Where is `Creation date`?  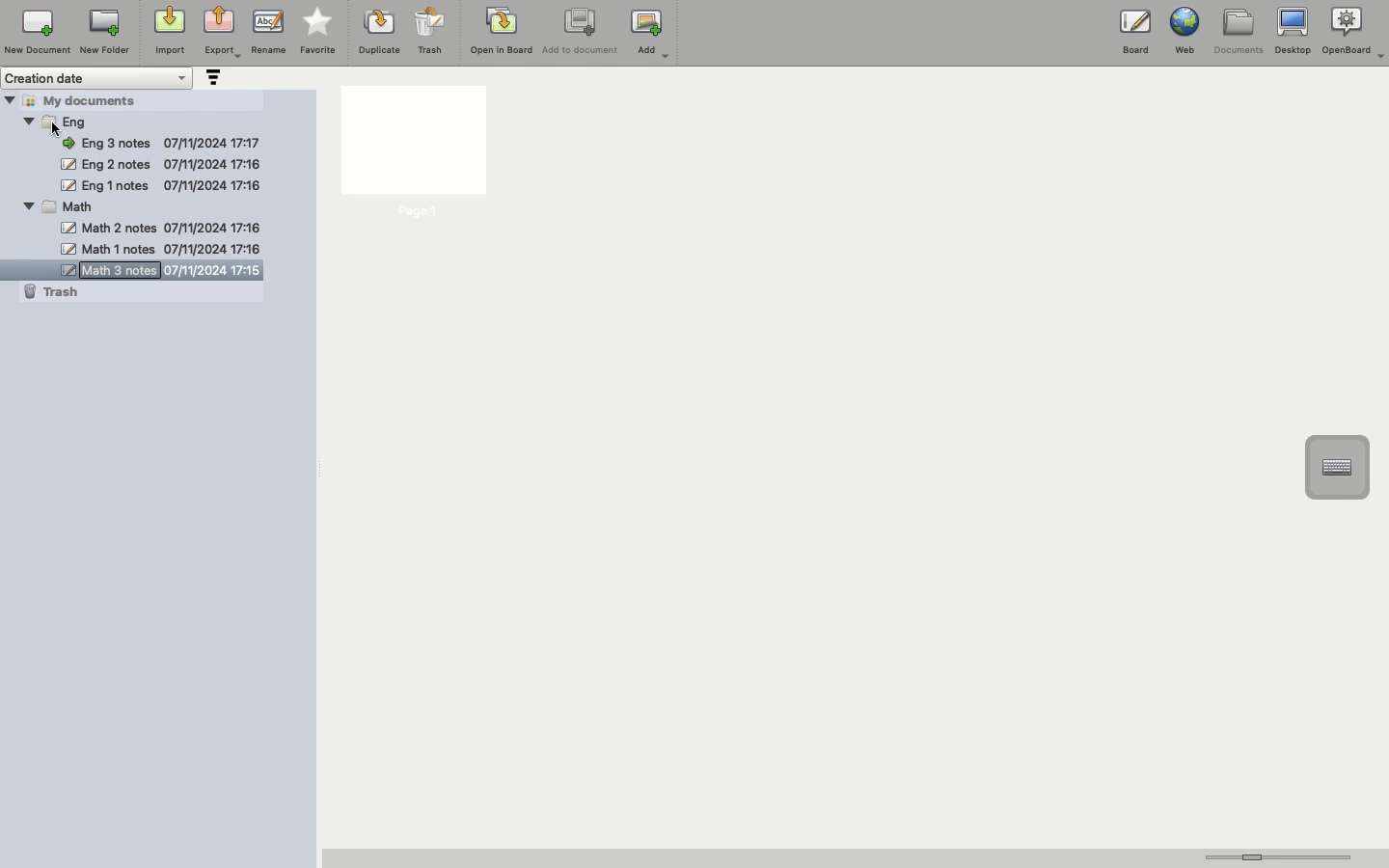 Creation date is located at coordinates (98, 78).